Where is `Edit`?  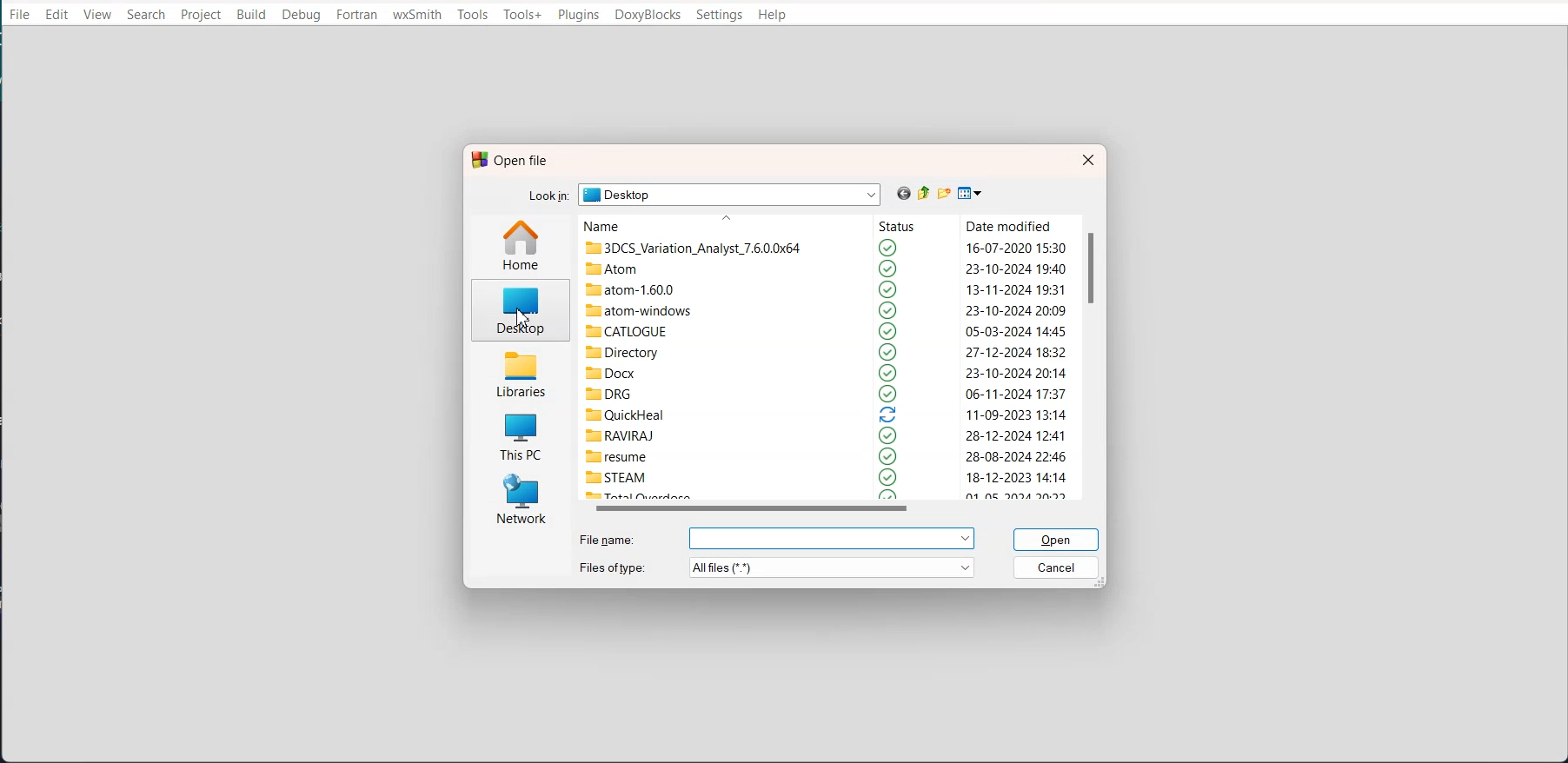 Edit is located at coordinates (57, 15).